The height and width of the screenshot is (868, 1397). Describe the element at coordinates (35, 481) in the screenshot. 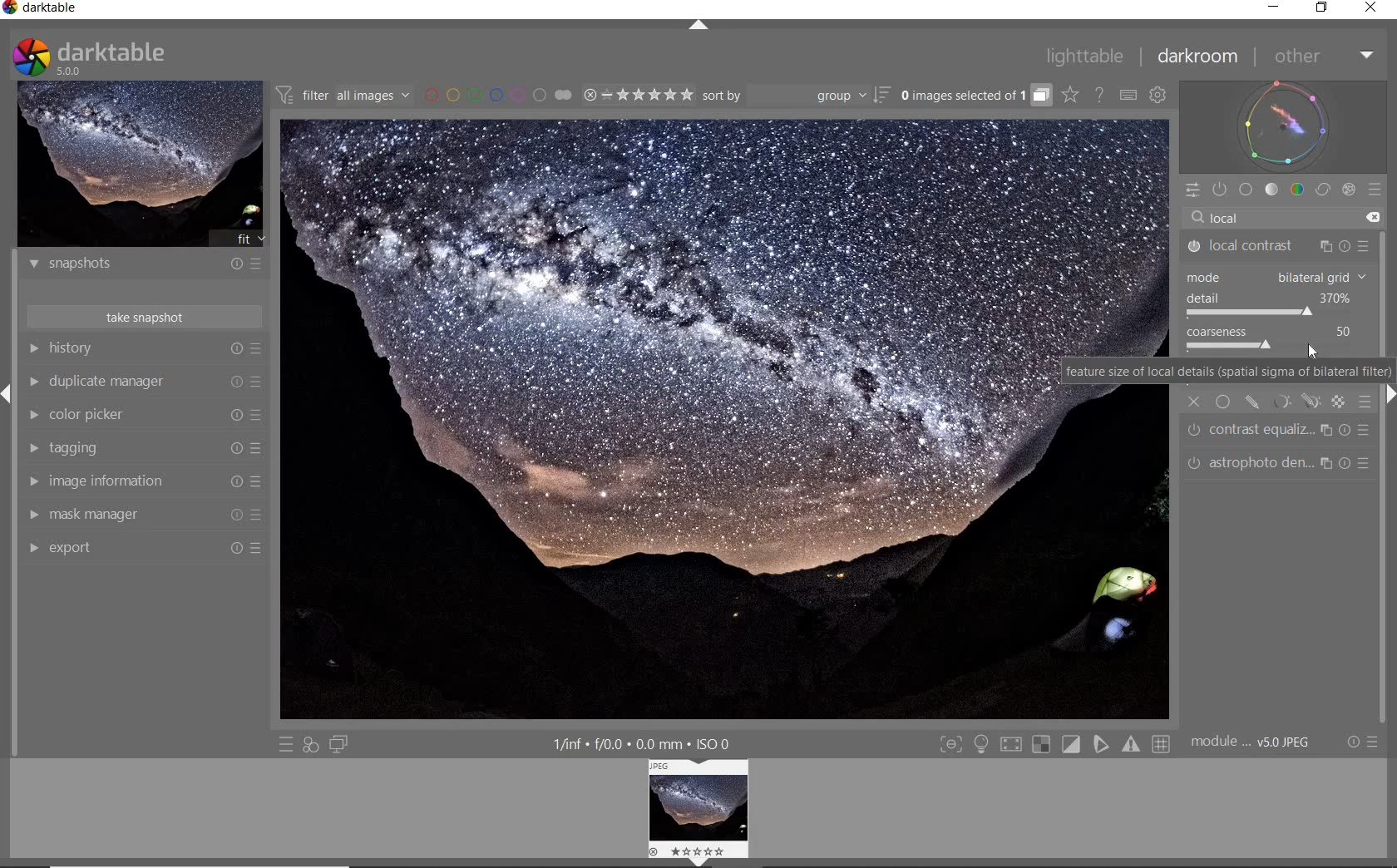

I see `IMAGE INFORMATION` at that location.